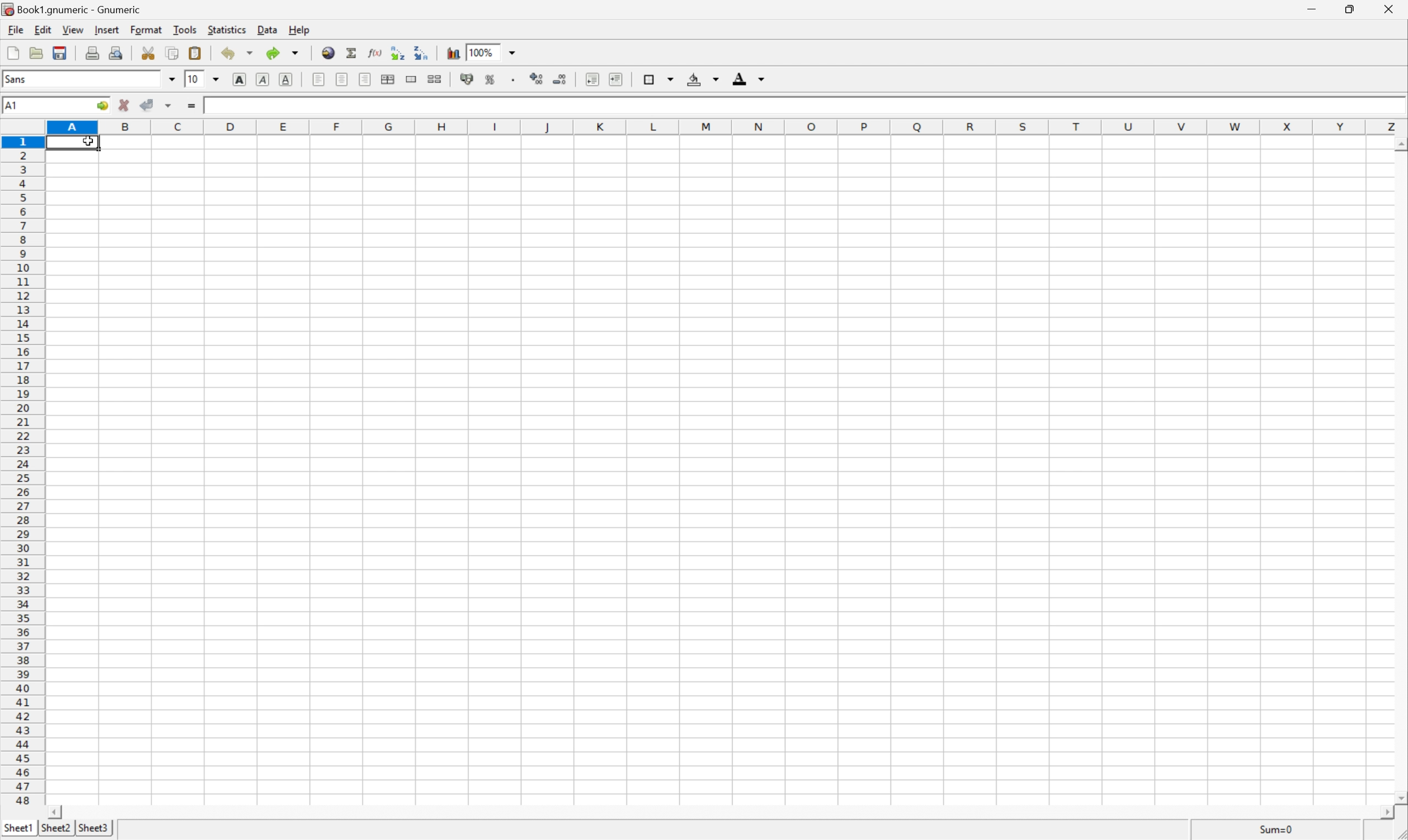 This screenshot has height=840, width=1408. What do you see at coordinates (116, 52) in the screenshot?
I see `print preview` at bounding box center [116, 52].